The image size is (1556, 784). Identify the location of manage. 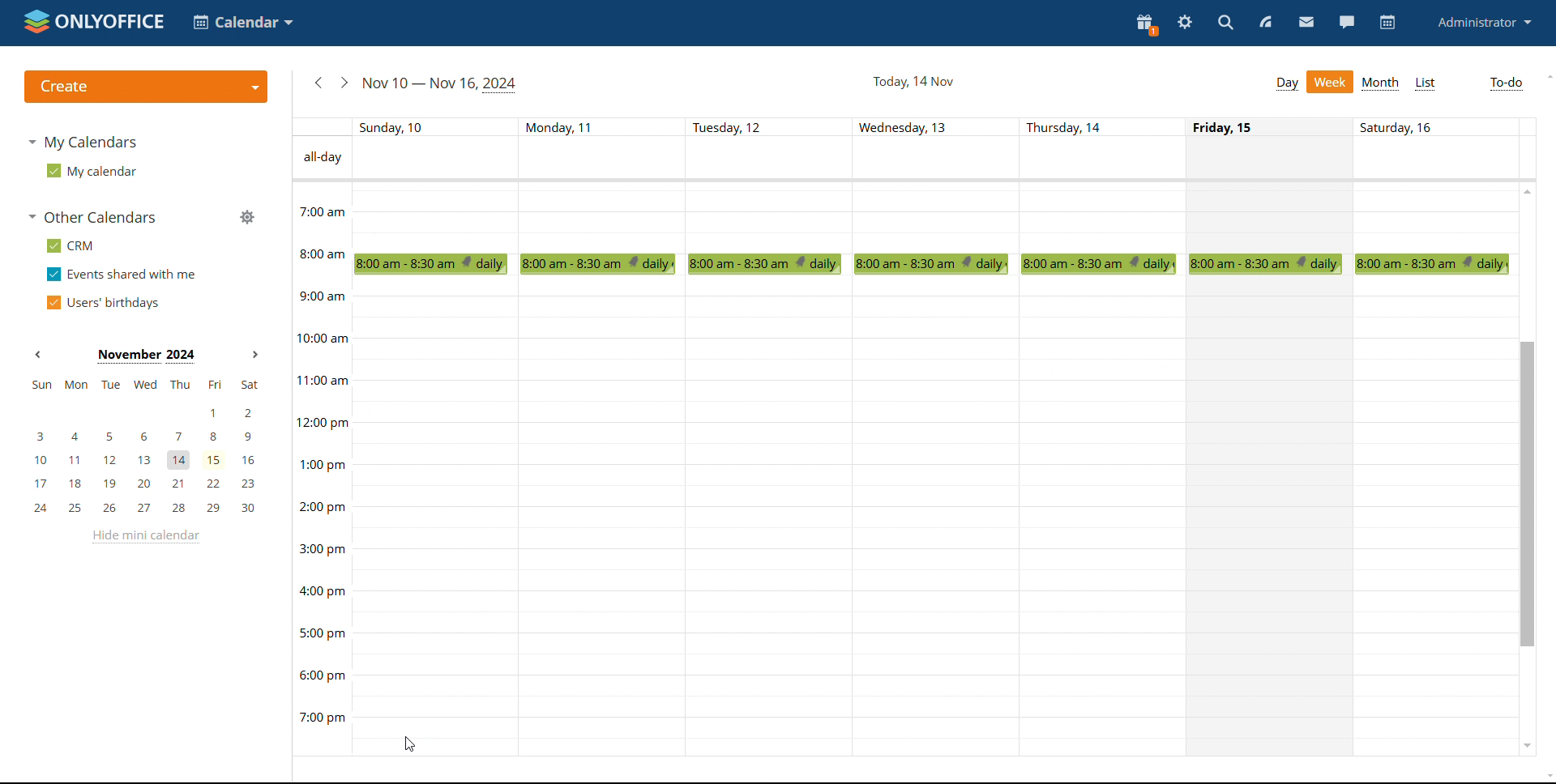
(246, 217).